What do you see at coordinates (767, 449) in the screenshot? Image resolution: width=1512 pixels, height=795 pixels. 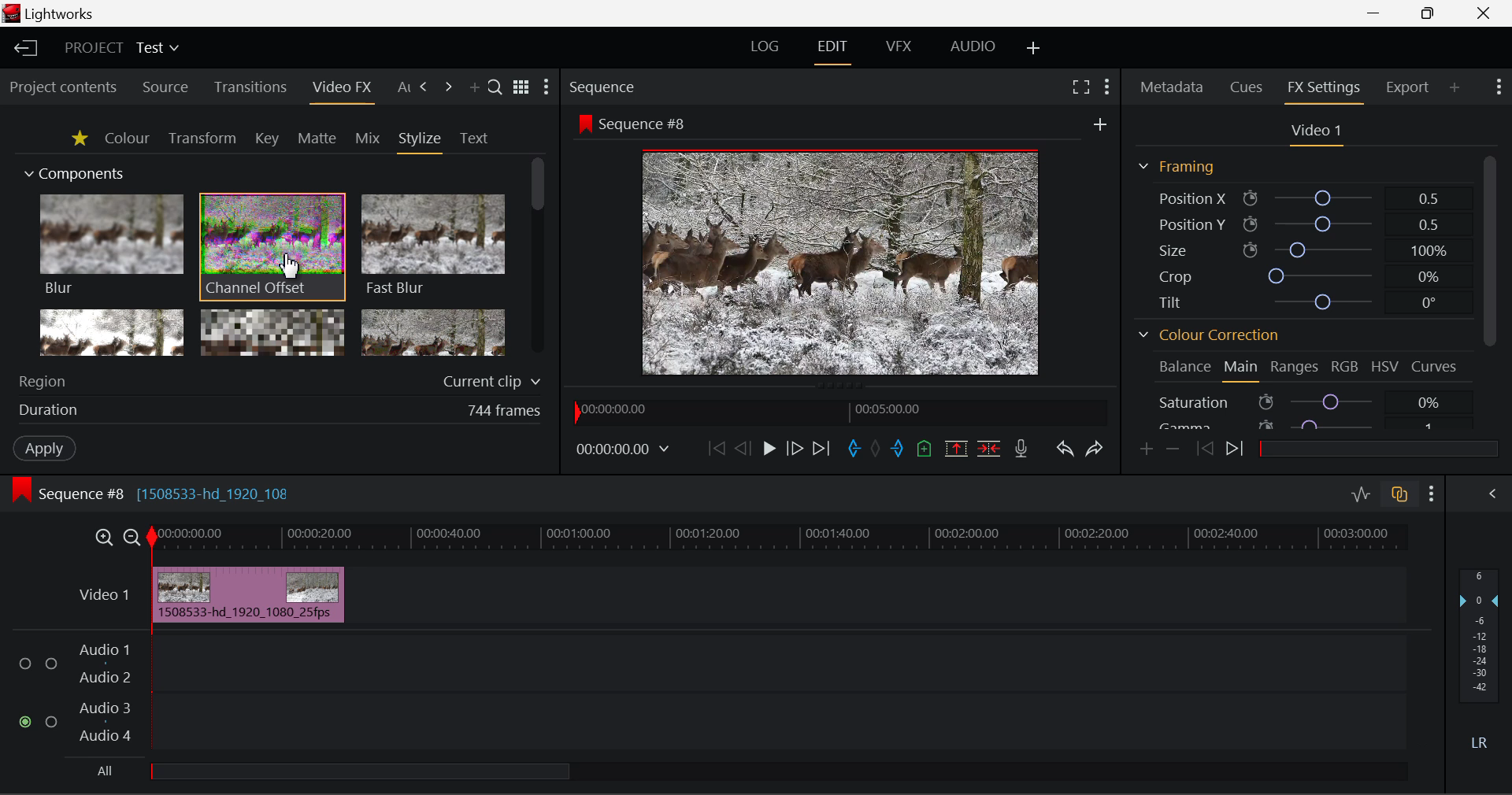 I see `Play` at bounding box center [767, 449].